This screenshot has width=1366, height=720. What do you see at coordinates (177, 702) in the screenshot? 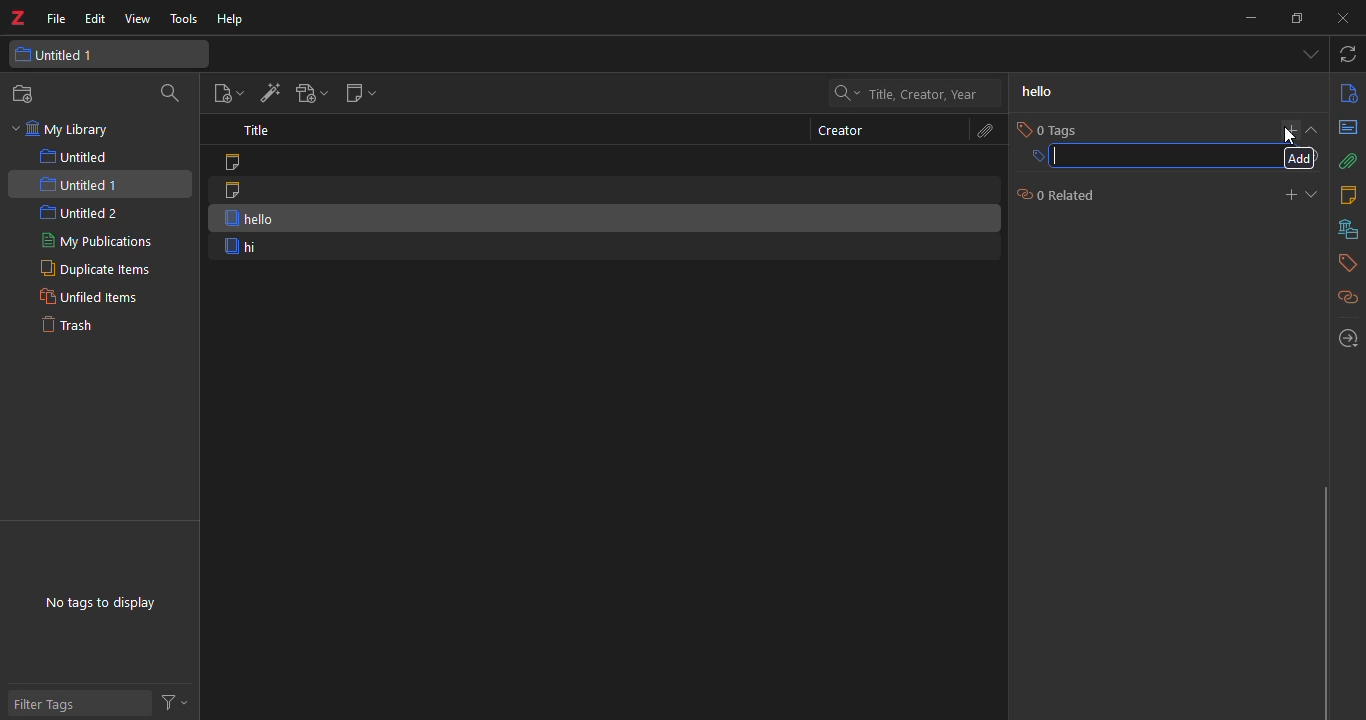
I see `actions` at bounding box center [177, 702].